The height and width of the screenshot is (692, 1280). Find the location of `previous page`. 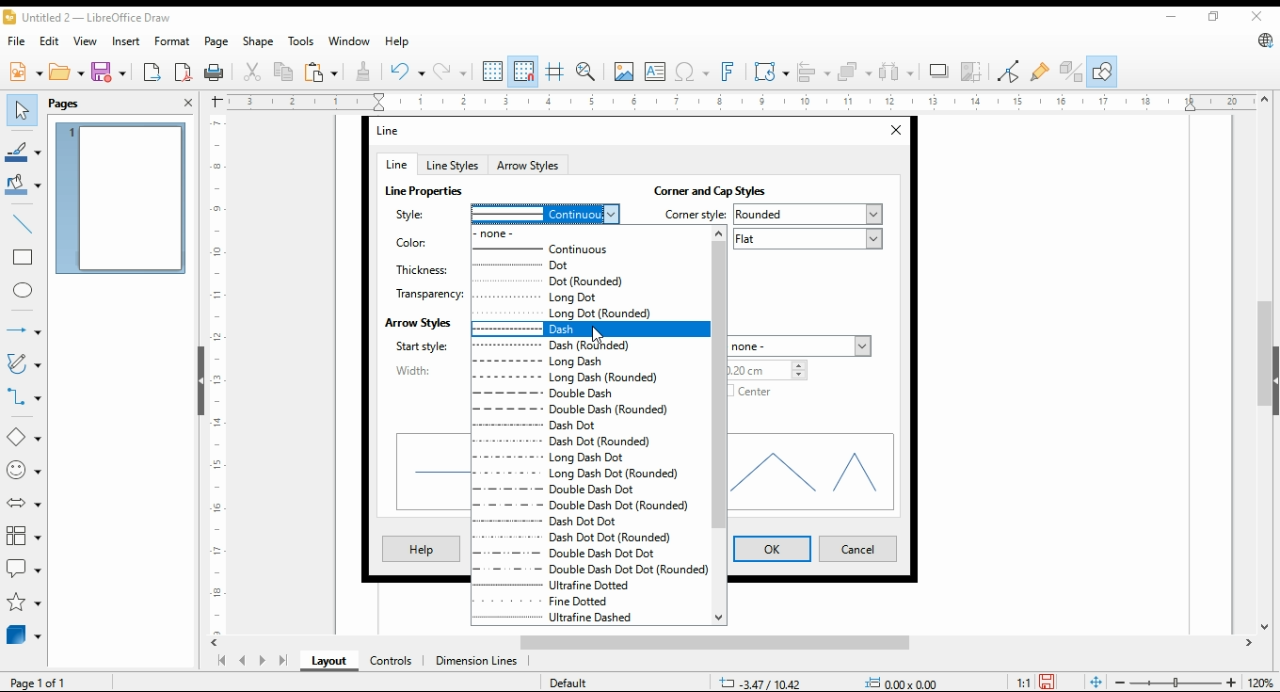

previous page is located at coordinates (243, 662).